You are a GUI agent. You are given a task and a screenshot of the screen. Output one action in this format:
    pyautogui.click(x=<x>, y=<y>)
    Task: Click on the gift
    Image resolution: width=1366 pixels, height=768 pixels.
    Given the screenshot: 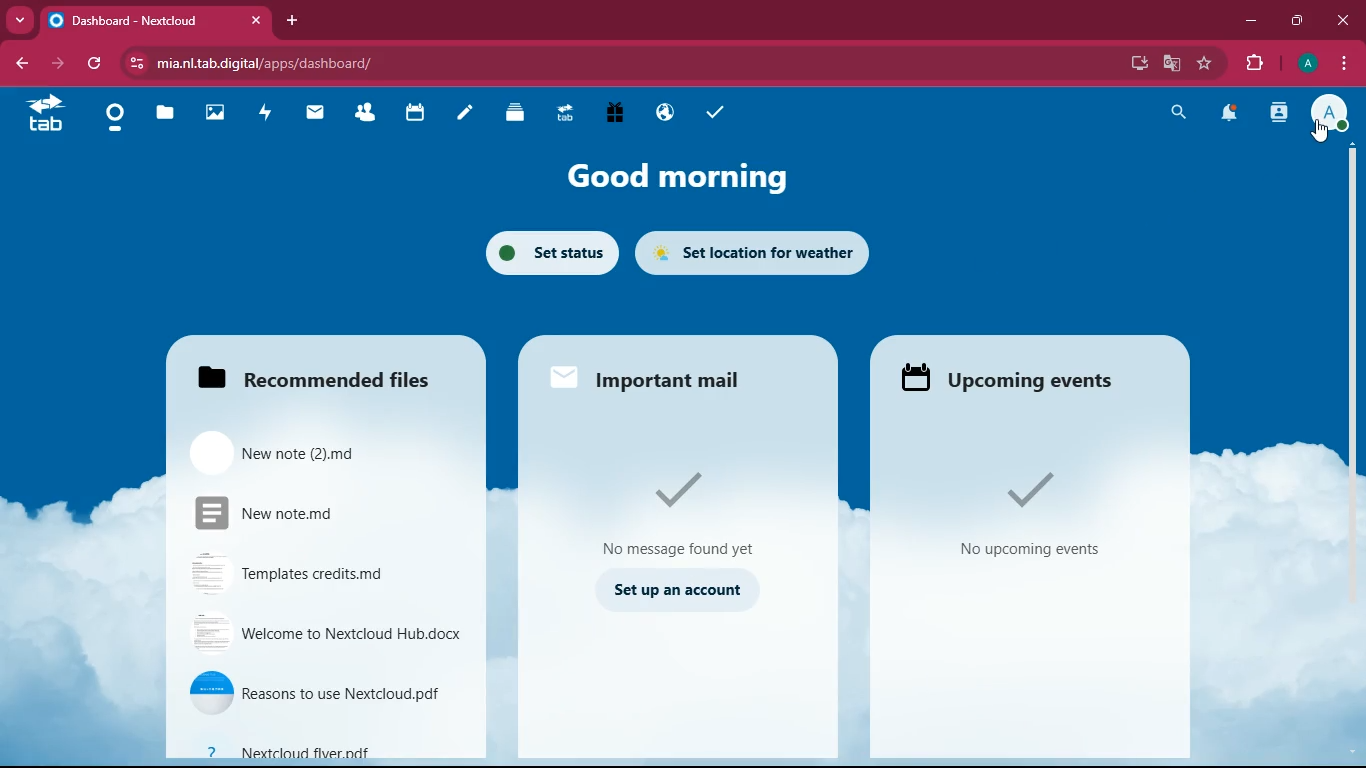 What is the action you would take?
    pyautogui.click(x=614, y=112)
    